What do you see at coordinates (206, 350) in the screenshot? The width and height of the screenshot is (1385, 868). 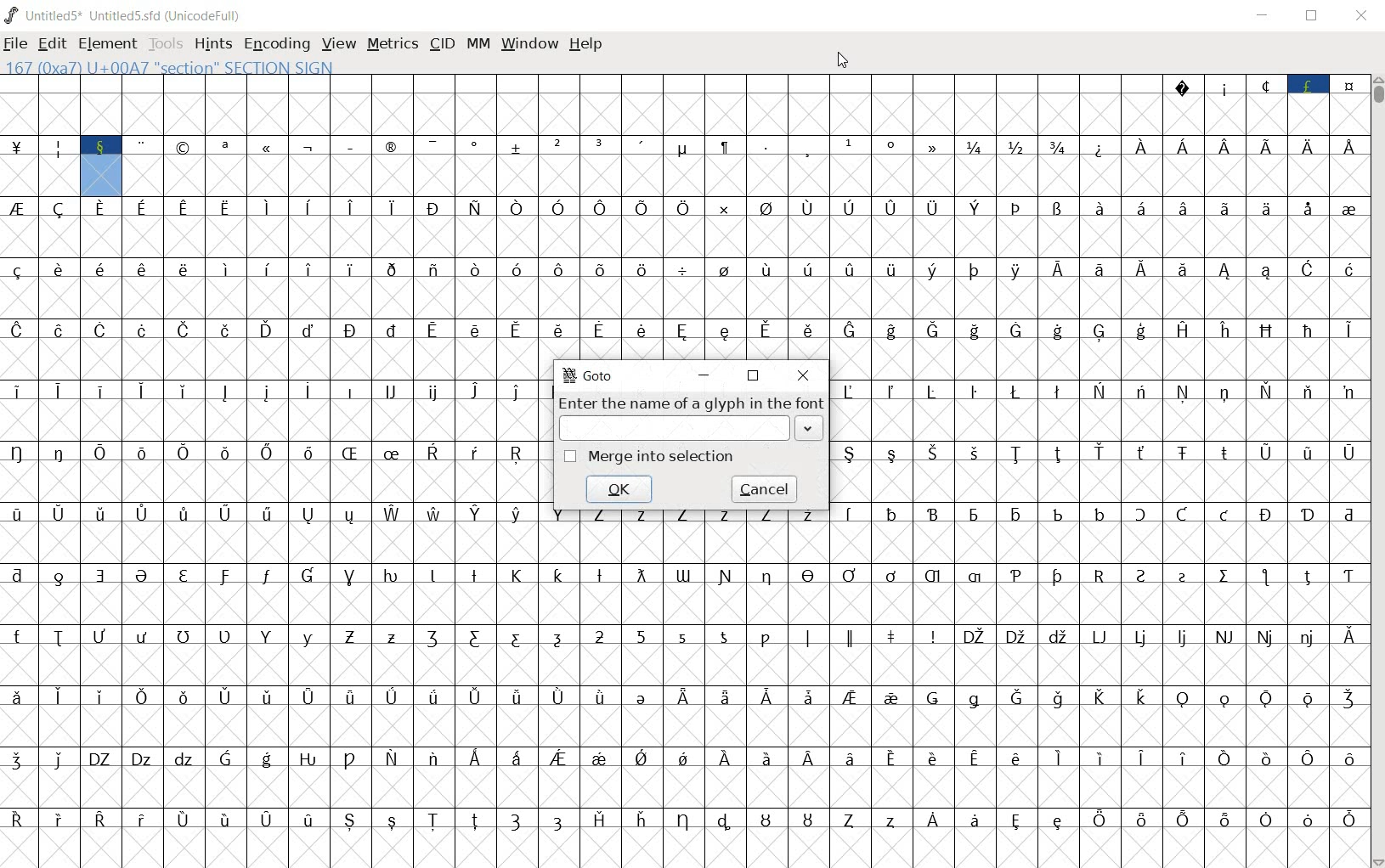 I see `accented letters` at bounding box center [206, 350].